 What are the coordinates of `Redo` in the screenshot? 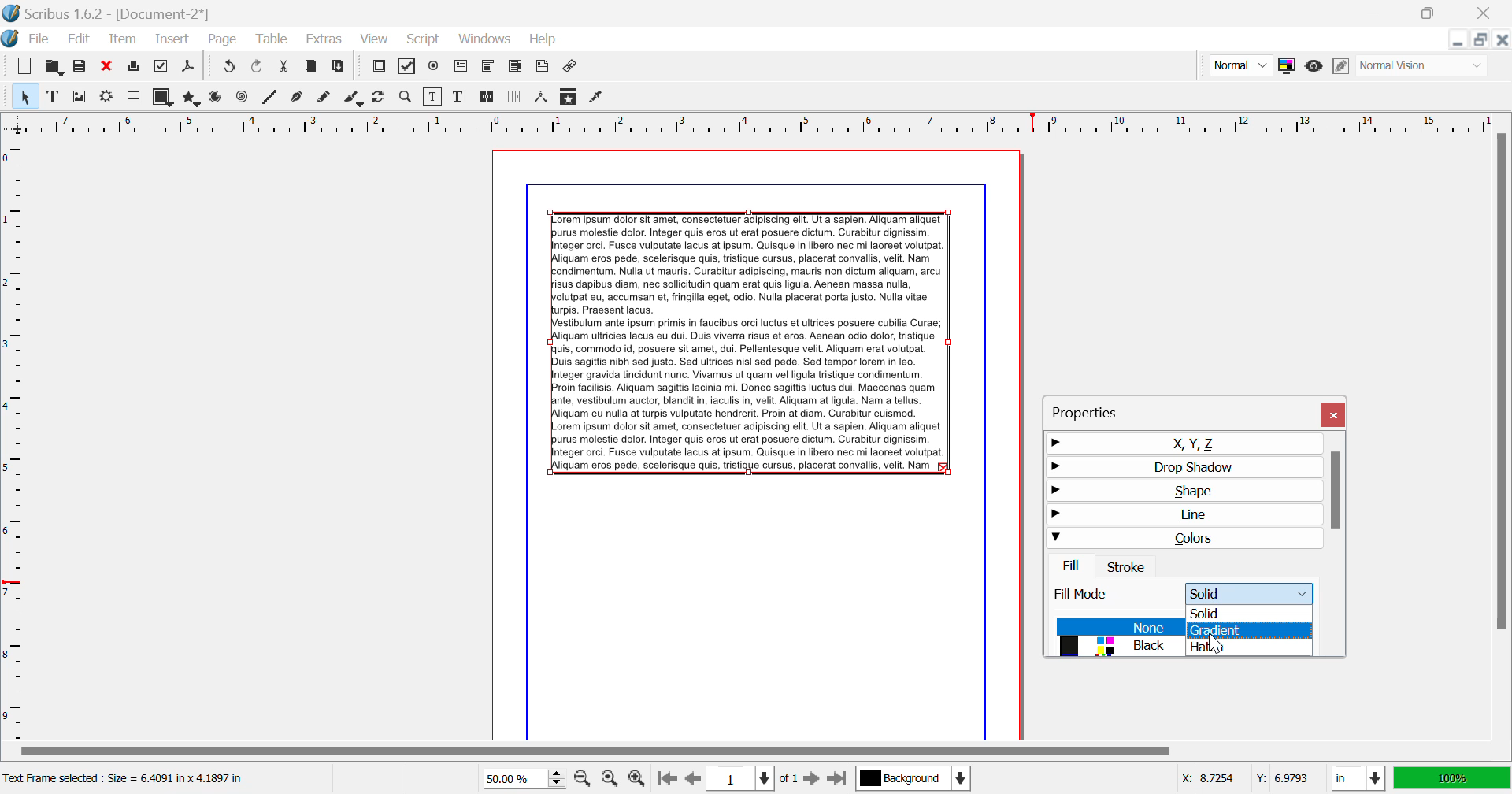 It's located at (227, 68).